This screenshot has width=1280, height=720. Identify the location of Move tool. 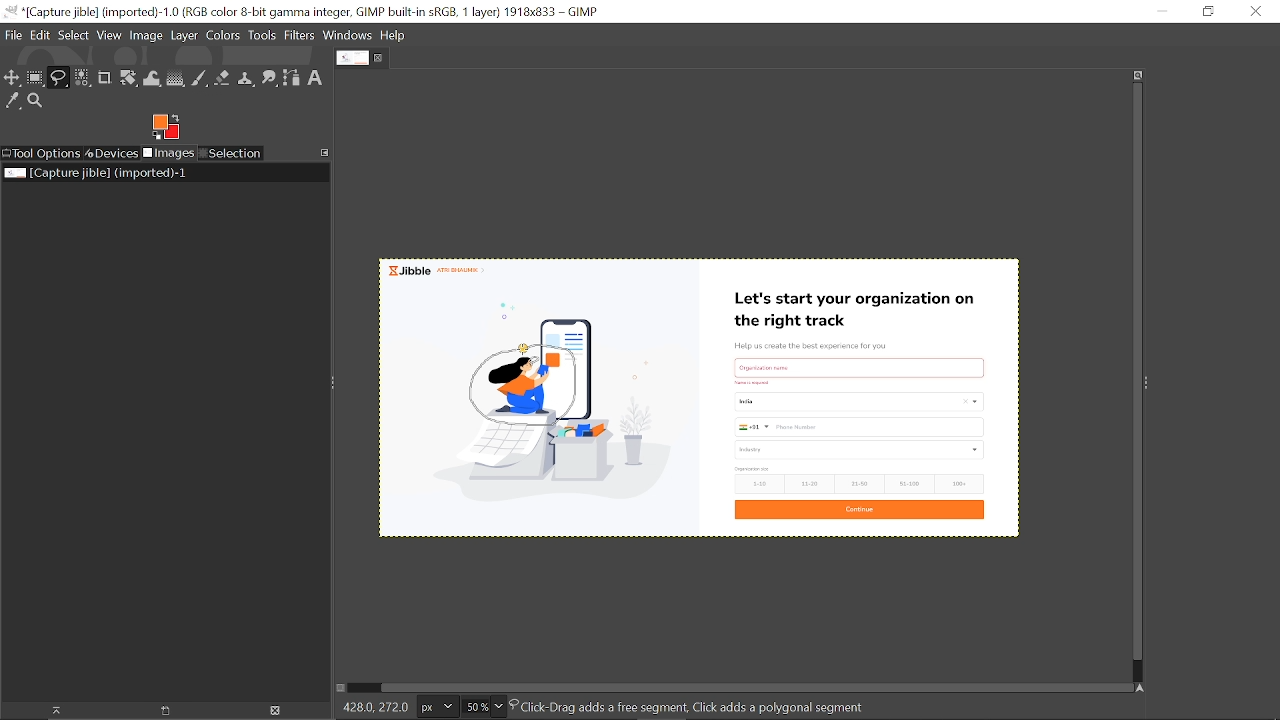
(12, 77).